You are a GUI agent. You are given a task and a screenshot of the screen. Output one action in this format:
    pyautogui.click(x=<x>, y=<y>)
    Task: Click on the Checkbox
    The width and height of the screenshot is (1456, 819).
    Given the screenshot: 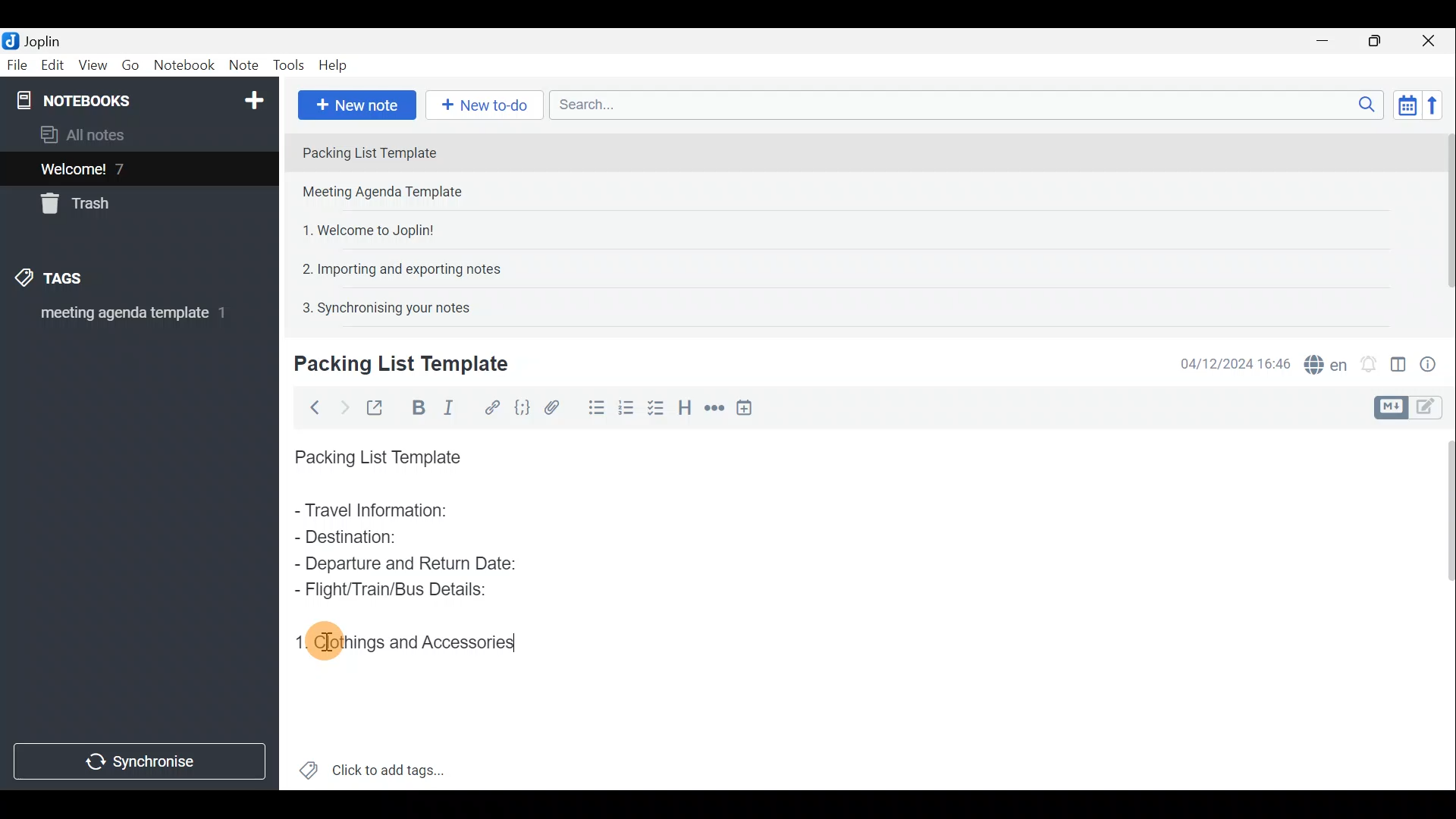 What is the action you would take?
    pyautogui.click(x=626, y=405)
    